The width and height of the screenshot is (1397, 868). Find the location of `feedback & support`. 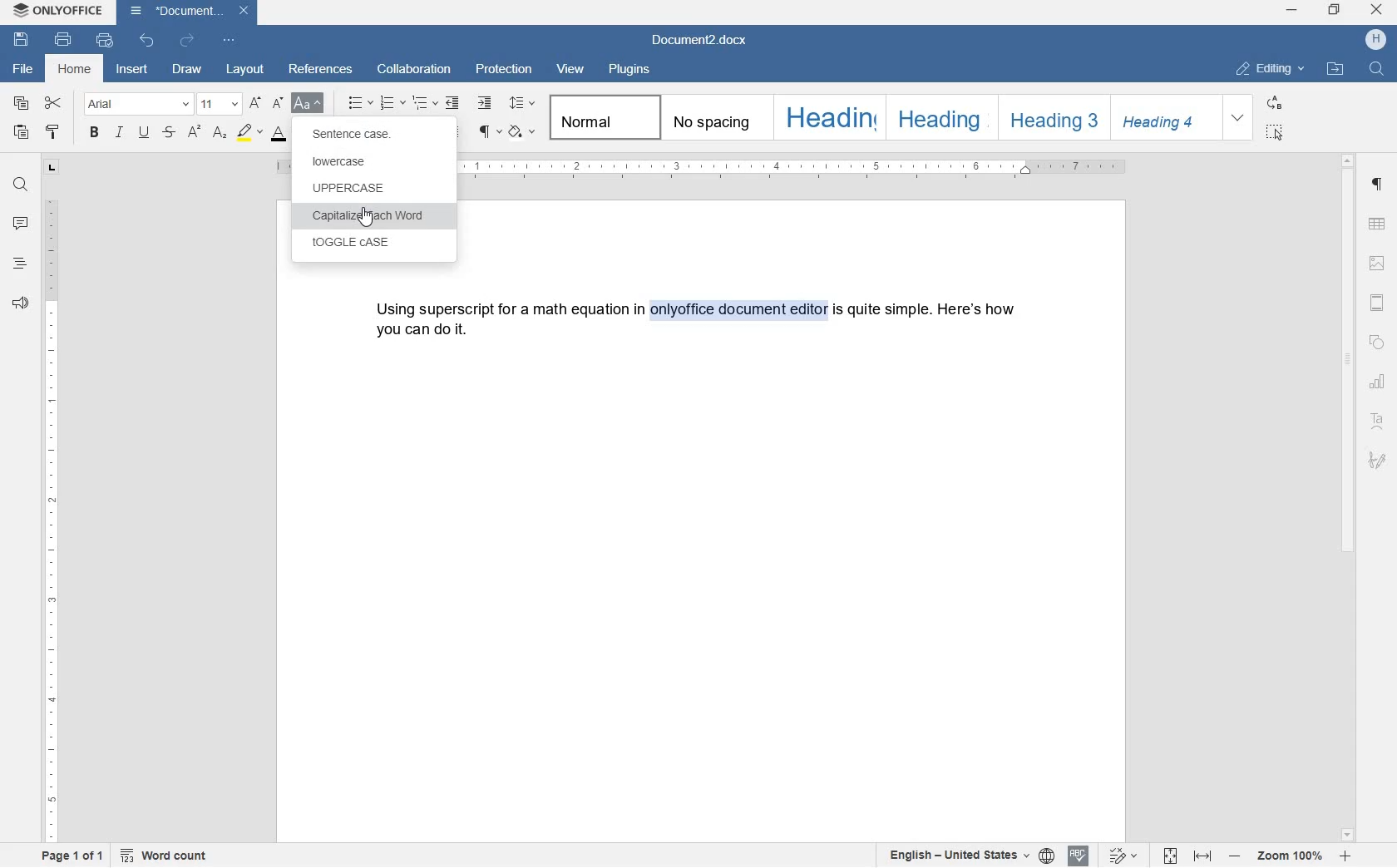

feedback & support is located at coordinates (21, 303).